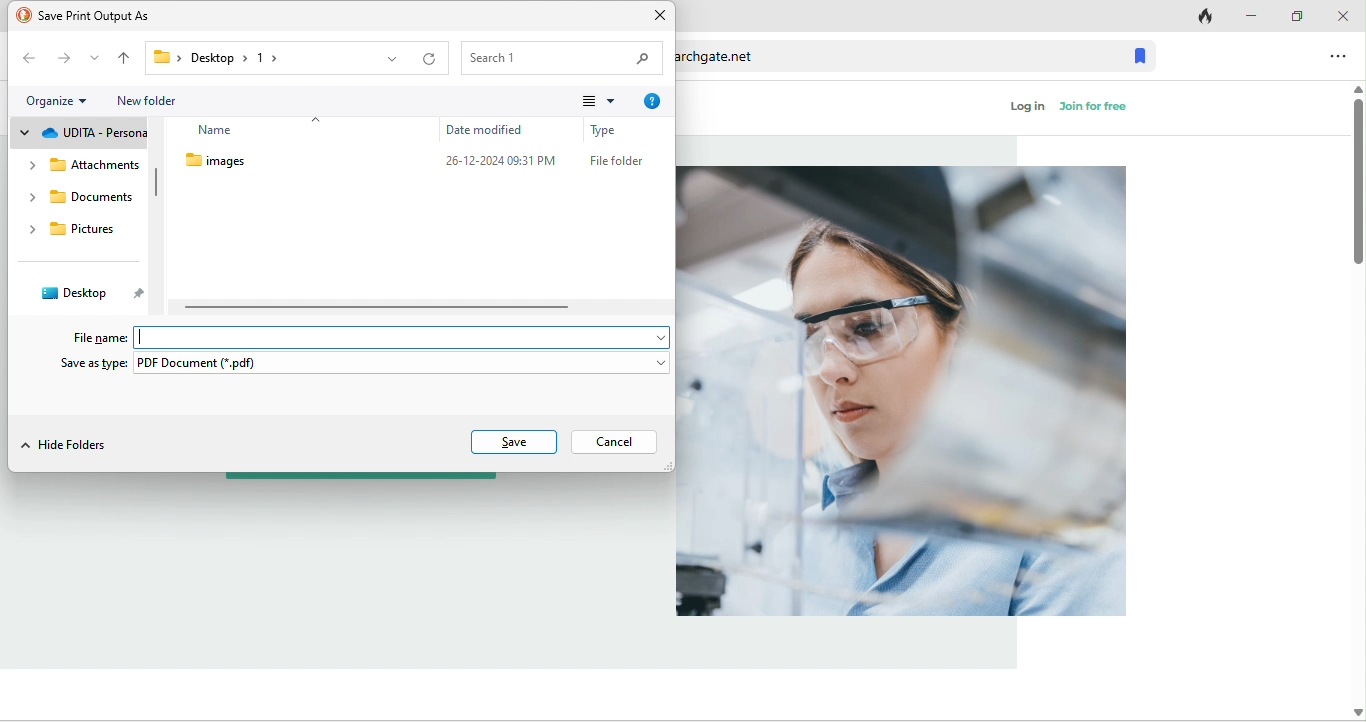 The width and height of the screenshot is (1366, 722). Describe the element at coordinates (82, 167) in the screenshot. I see `attachments` at that location.